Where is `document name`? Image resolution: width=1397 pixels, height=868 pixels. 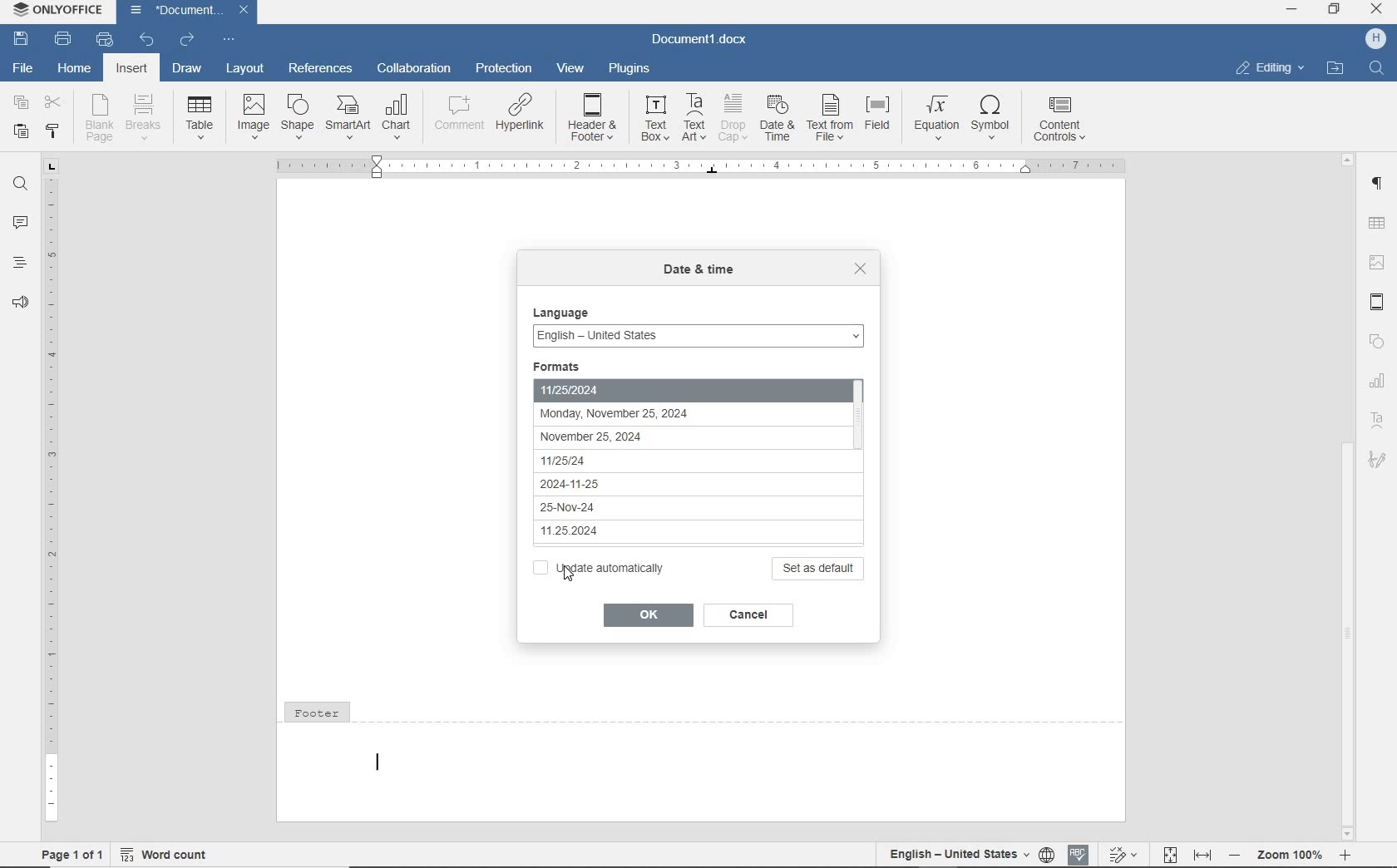
document name is located at coordinates (180, 11).